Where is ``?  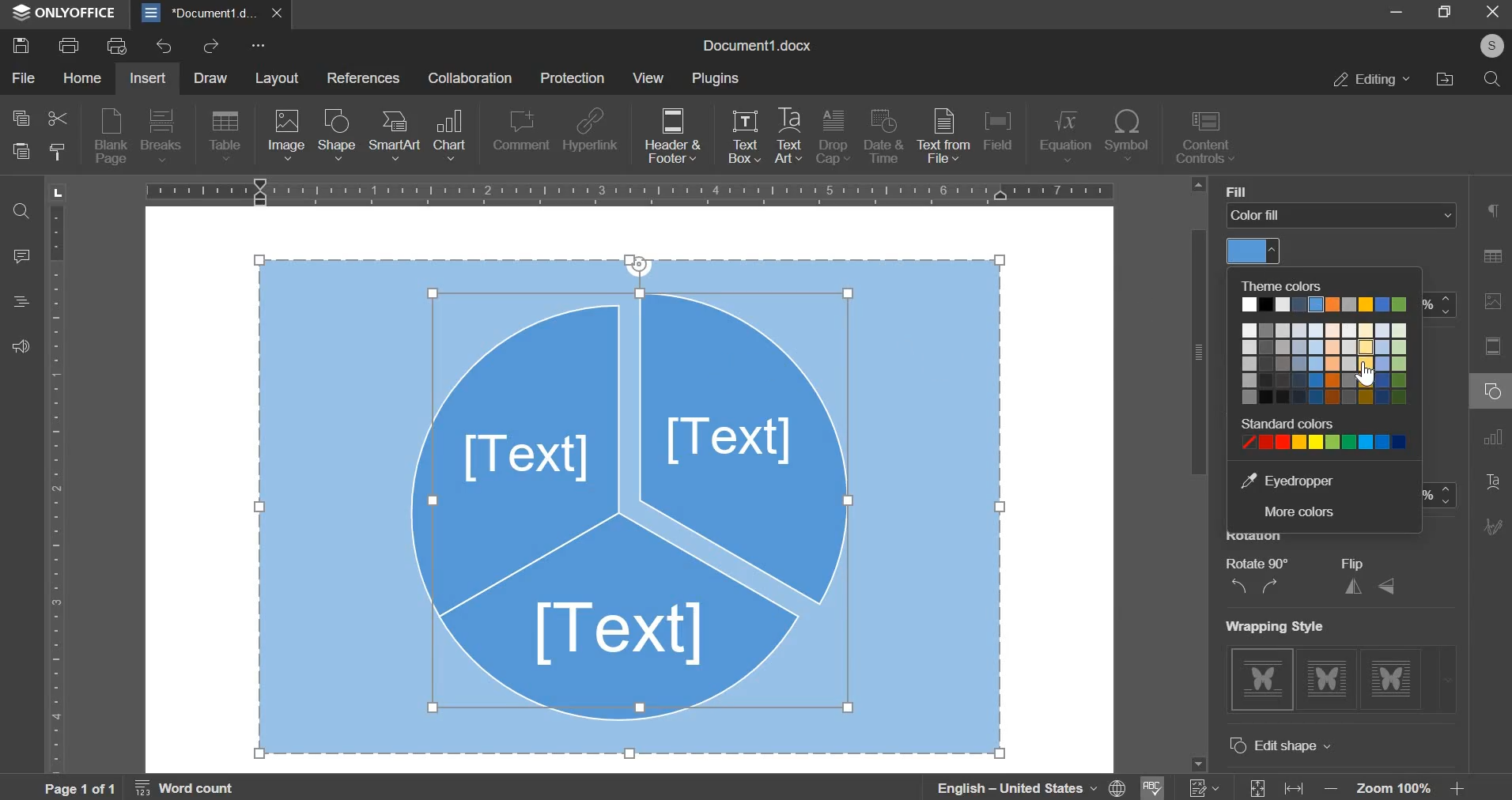  is located at coordinates (1291, 625).